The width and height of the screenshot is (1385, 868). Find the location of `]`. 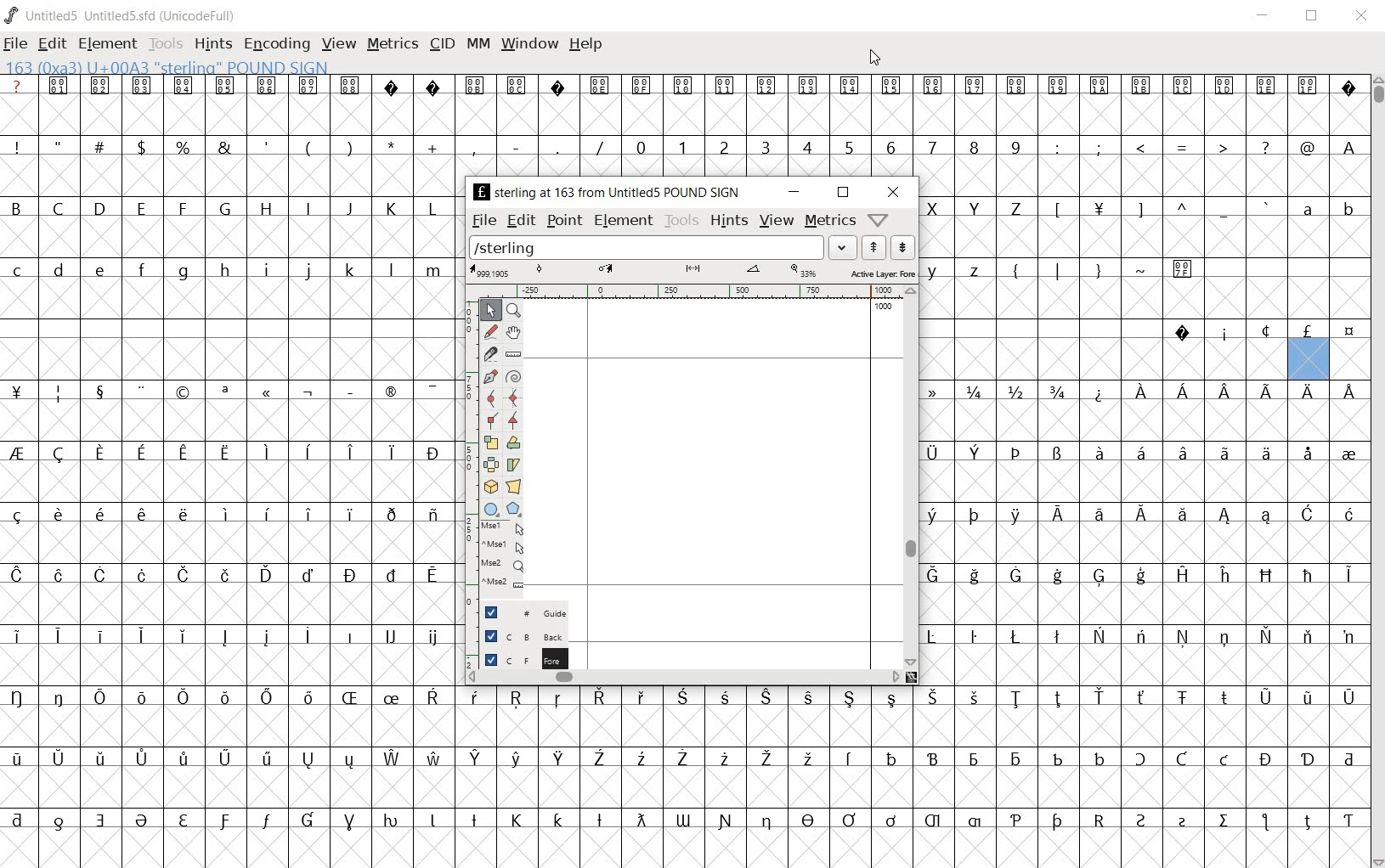

] is located at coordinates (1141, 208).